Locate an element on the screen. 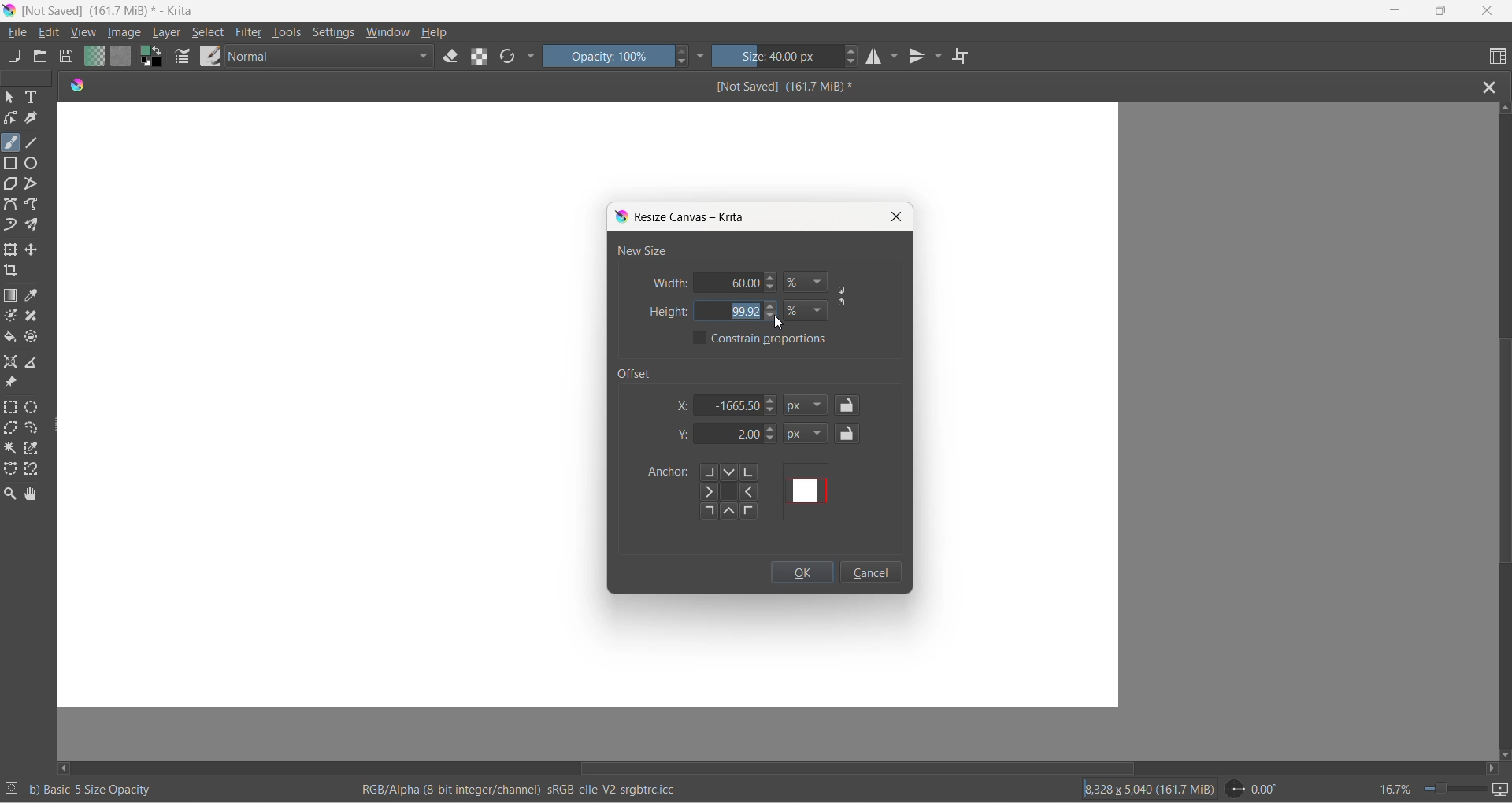 The image size is (1512, 803). select shape tool is located at coordinates (10, 98).